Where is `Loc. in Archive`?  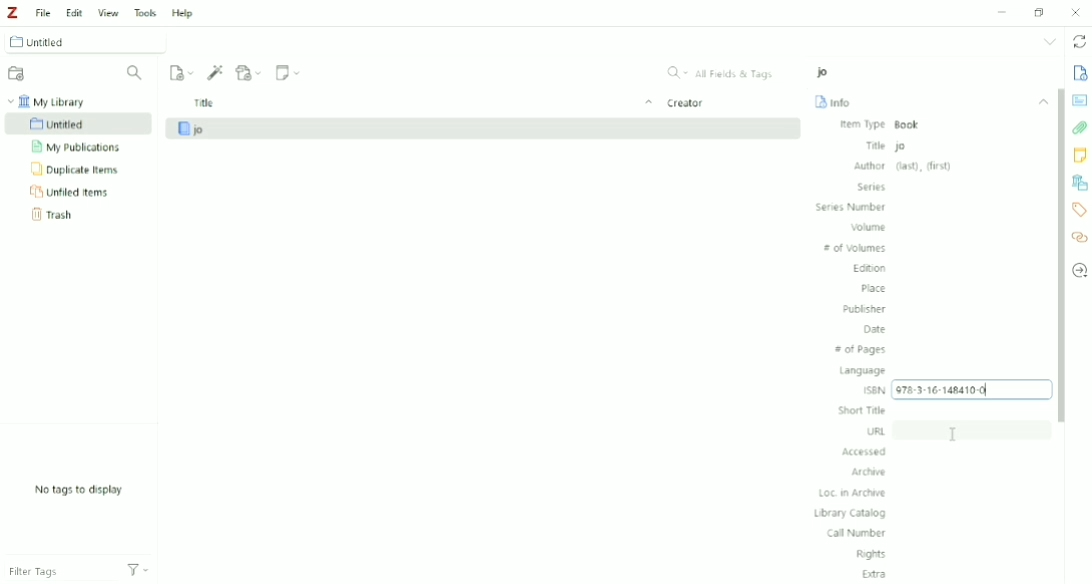 Loc. in Archive is located at coordinates (853, 494).